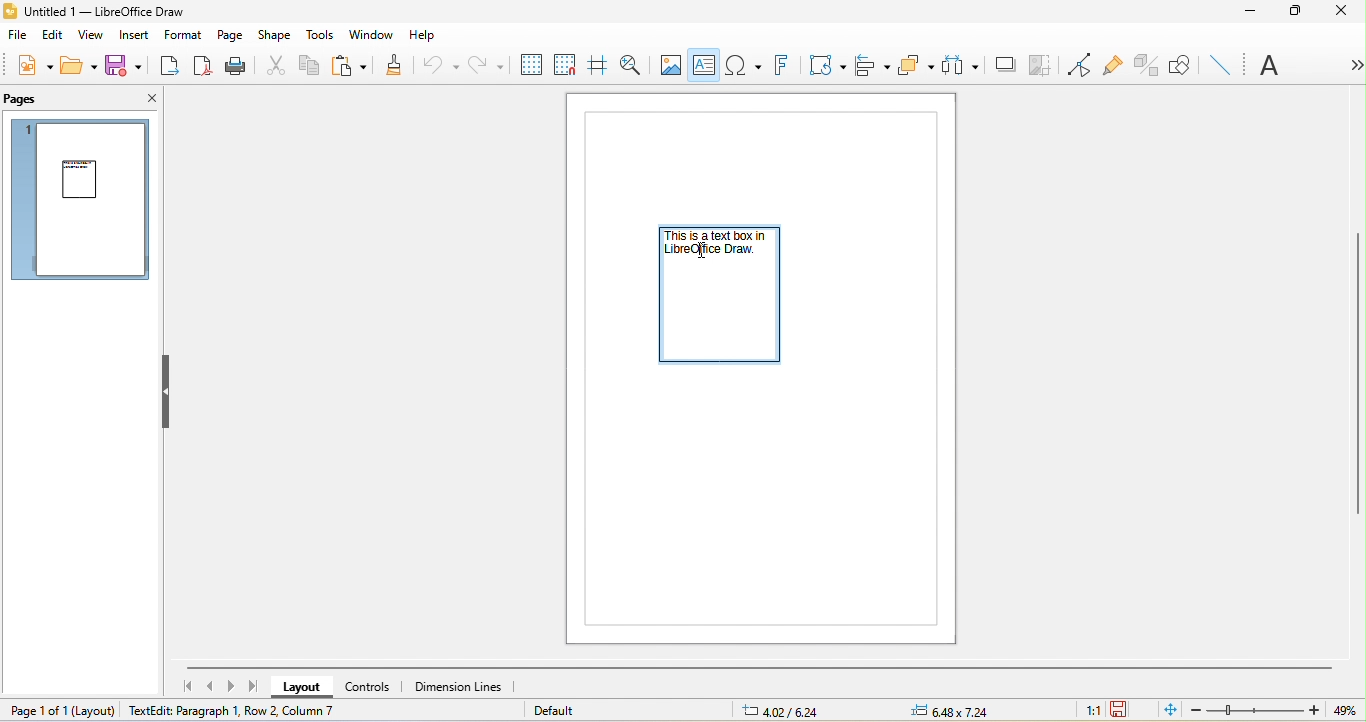  Describe the element at coordinates (1115, 63) in the screenshot. I see `gluepoint function` at that location.